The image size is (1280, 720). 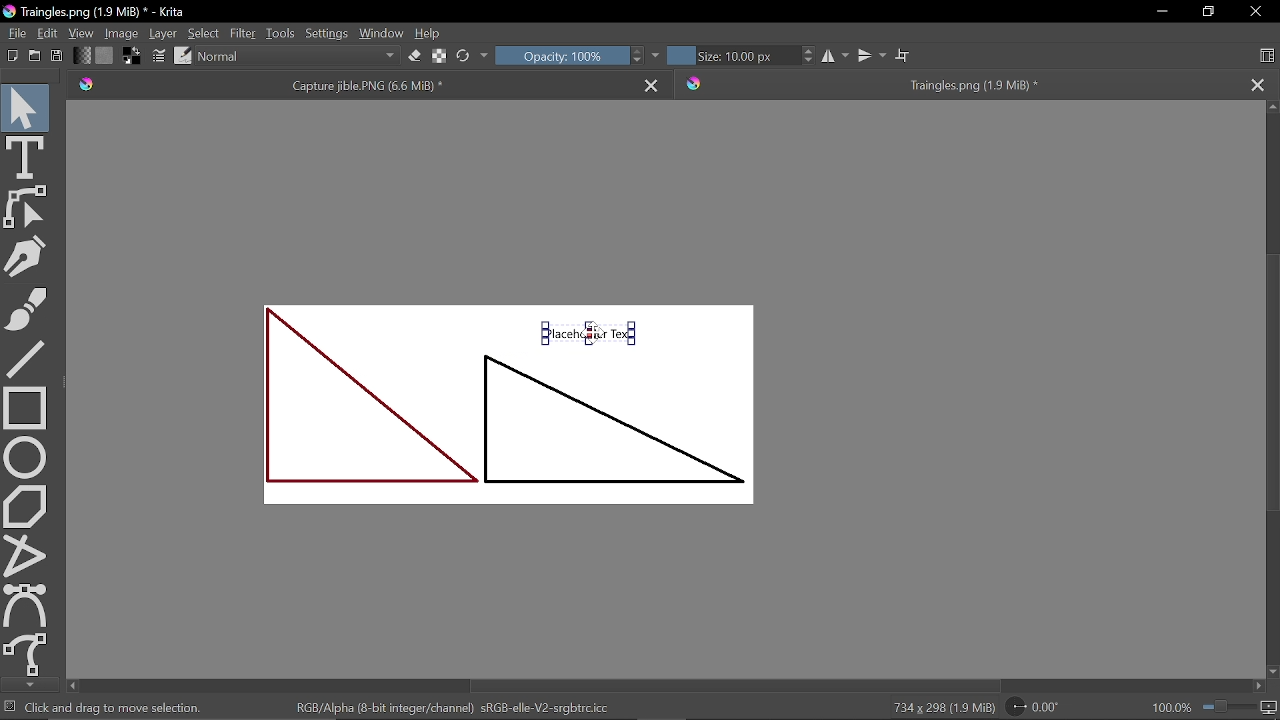 What do you see at coordinates (298, 57) in the screenshot?
I see `Normal` at bounding box center [298, 57].